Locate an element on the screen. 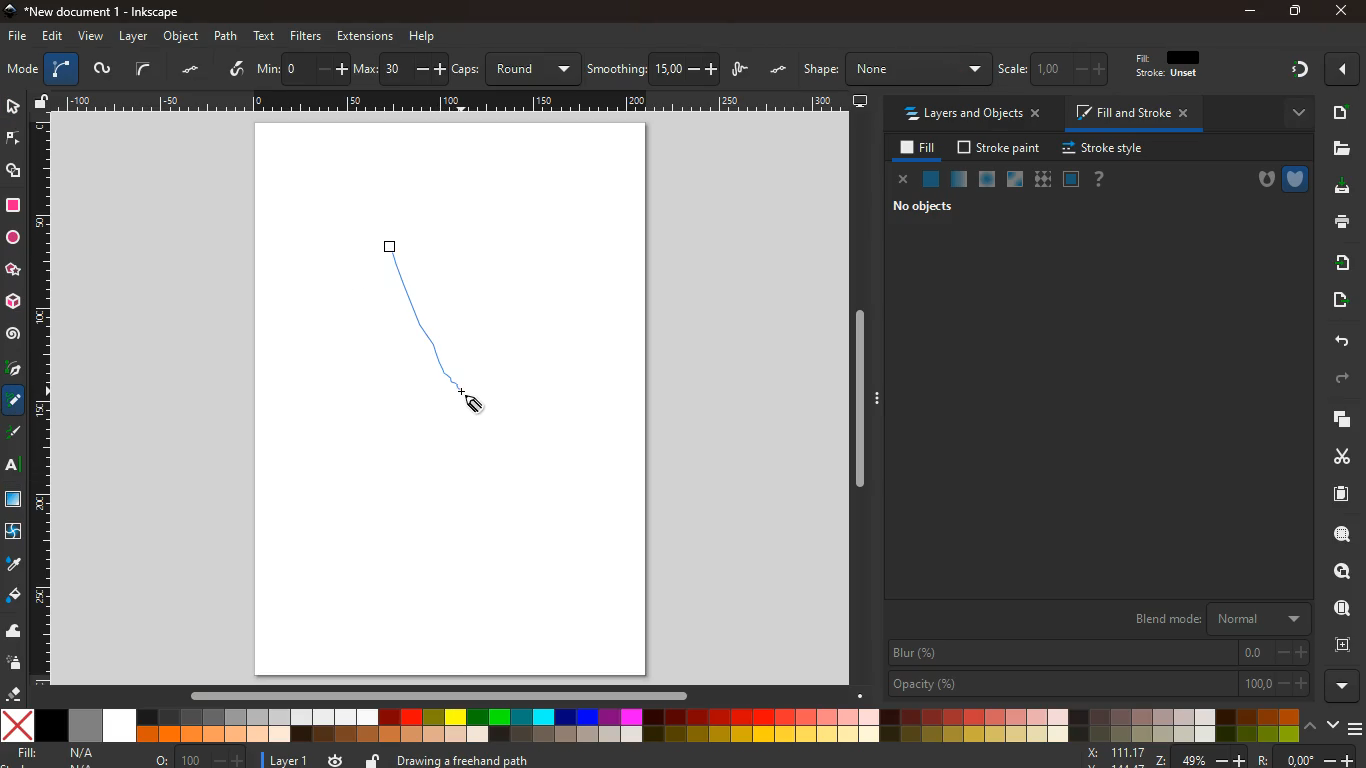 Image resolution: width=1366 pixels, height=768 pixels. look is located at coordinates (1341, 610).